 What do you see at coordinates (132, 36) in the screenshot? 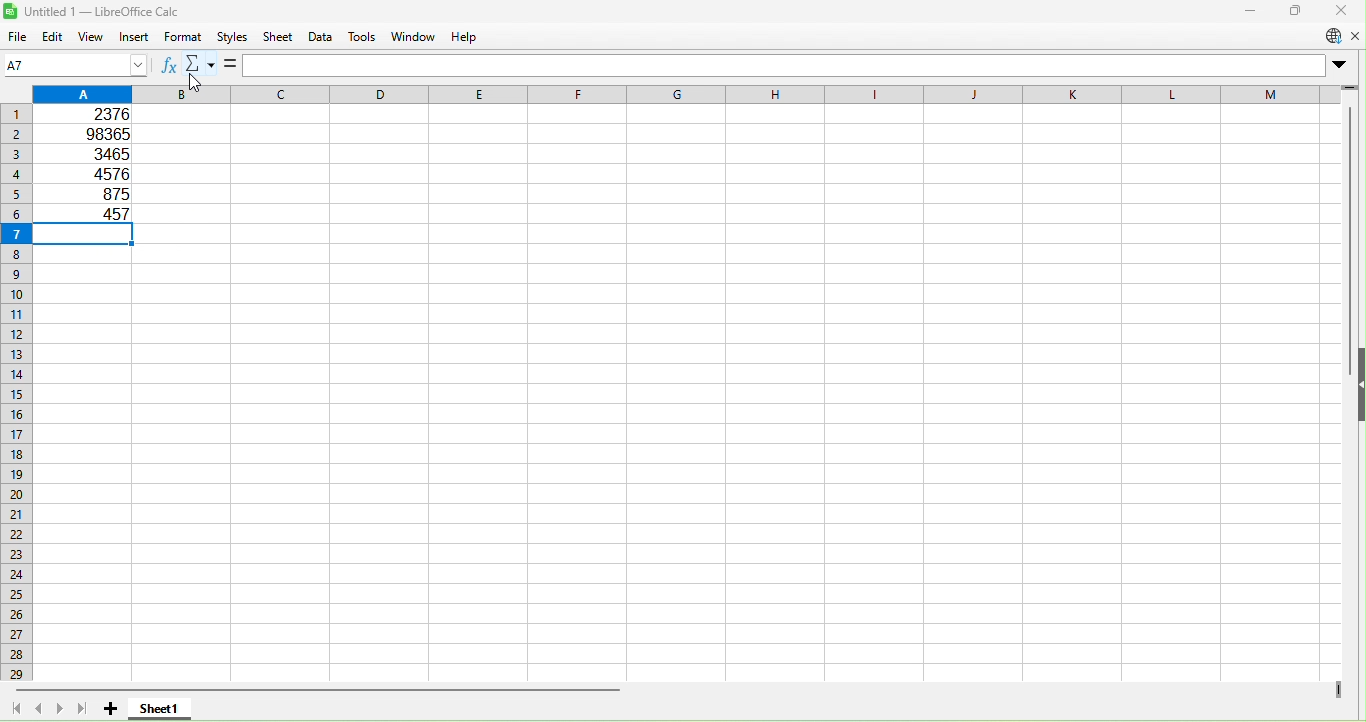
I see `Insert` at bounding box center [132, 36].